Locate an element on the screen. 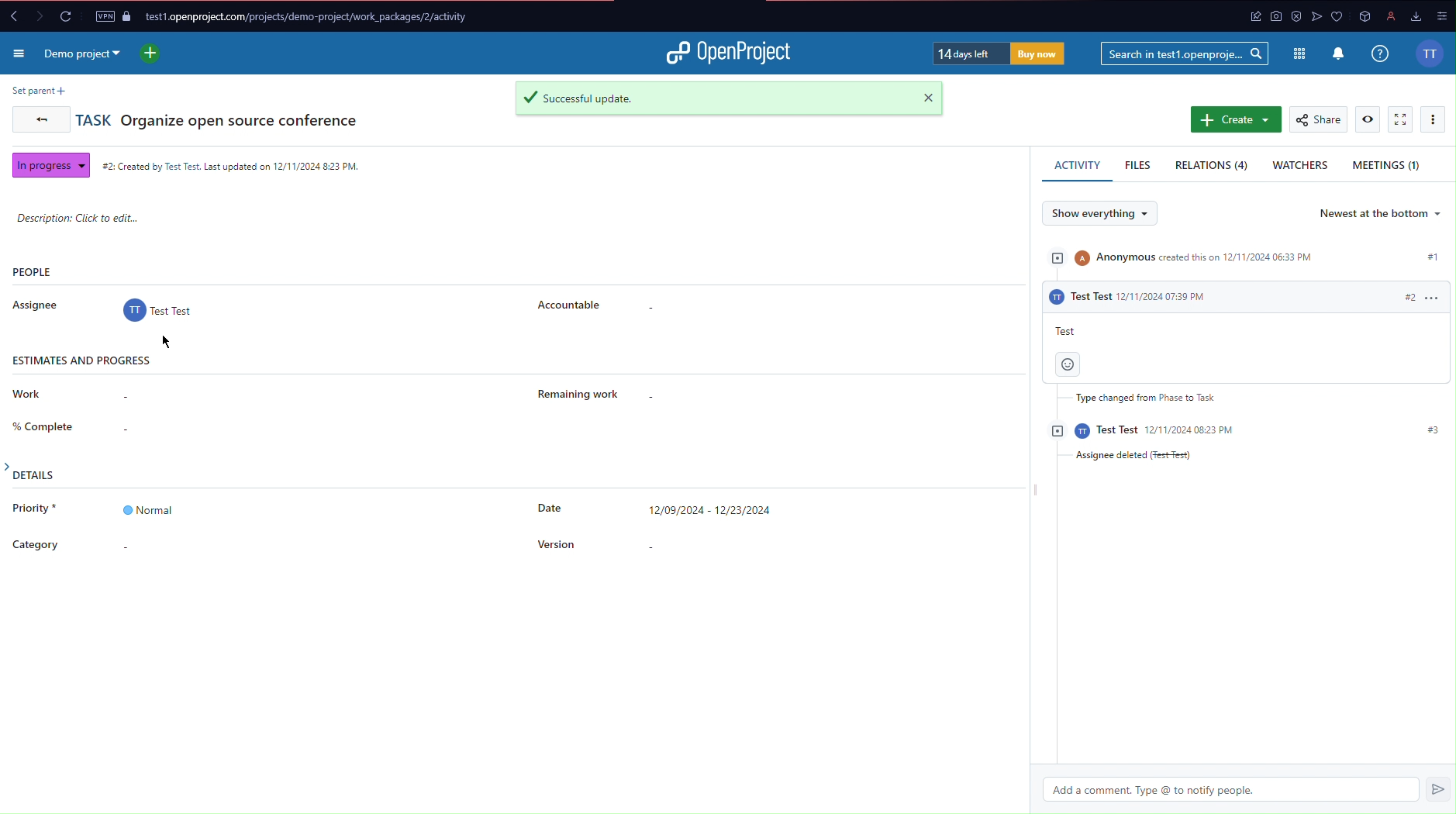  Back is located at coordinates (35, 118).